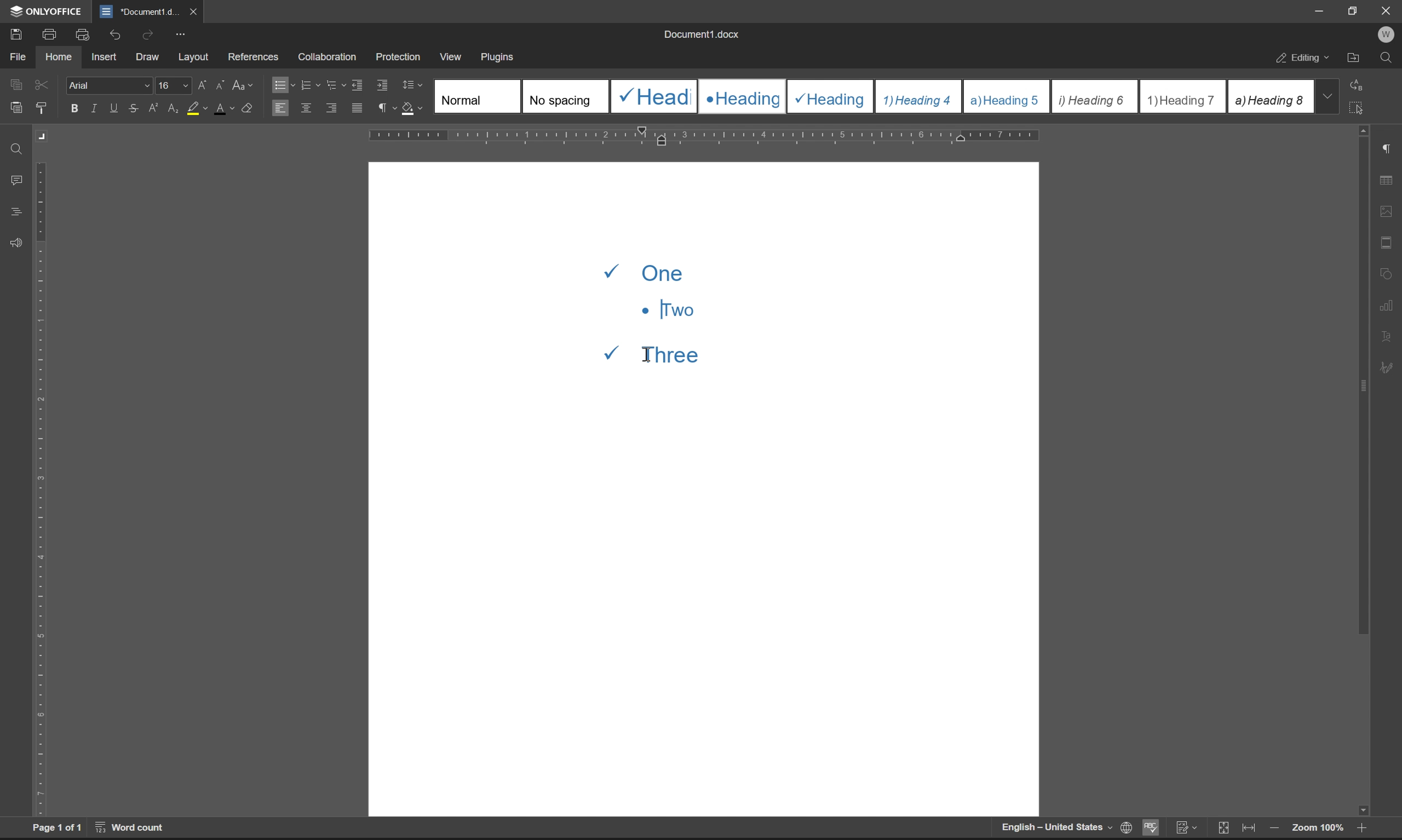 This screenshot has height=840, width=1402. I want to click on set document language, so click(1124, 828).